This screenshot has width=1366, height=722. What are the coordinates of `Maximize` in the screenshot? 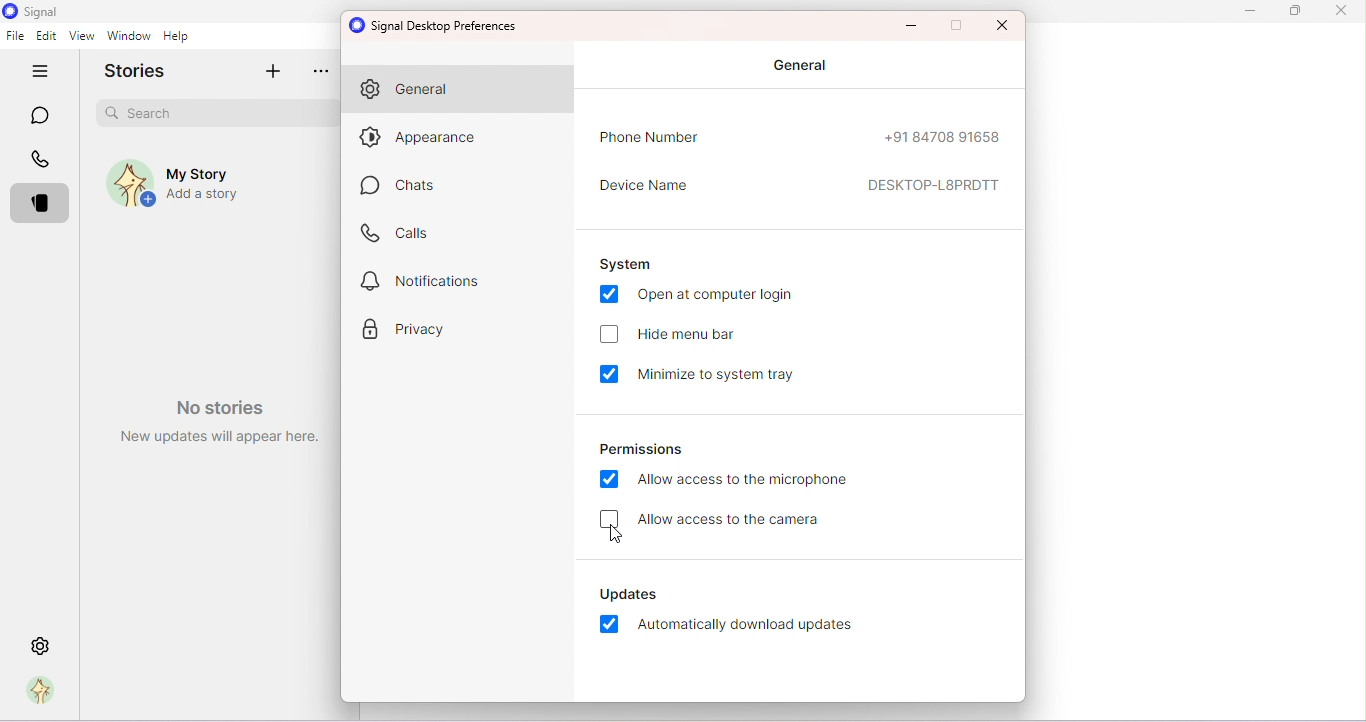 It's located at (1003, 26).